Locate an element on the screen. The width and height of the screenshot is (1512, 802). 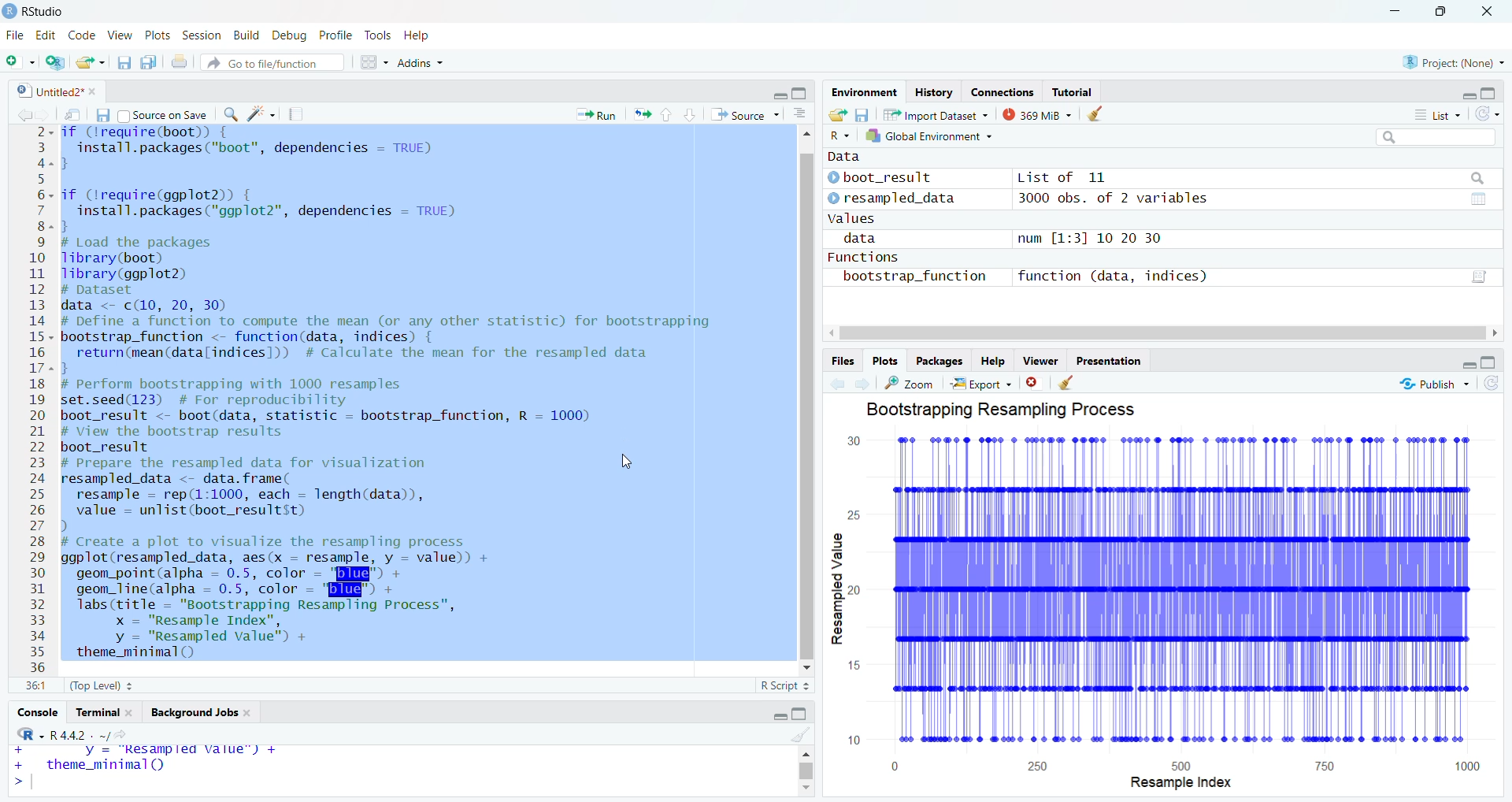
resample is located at coordinates (683, 775).